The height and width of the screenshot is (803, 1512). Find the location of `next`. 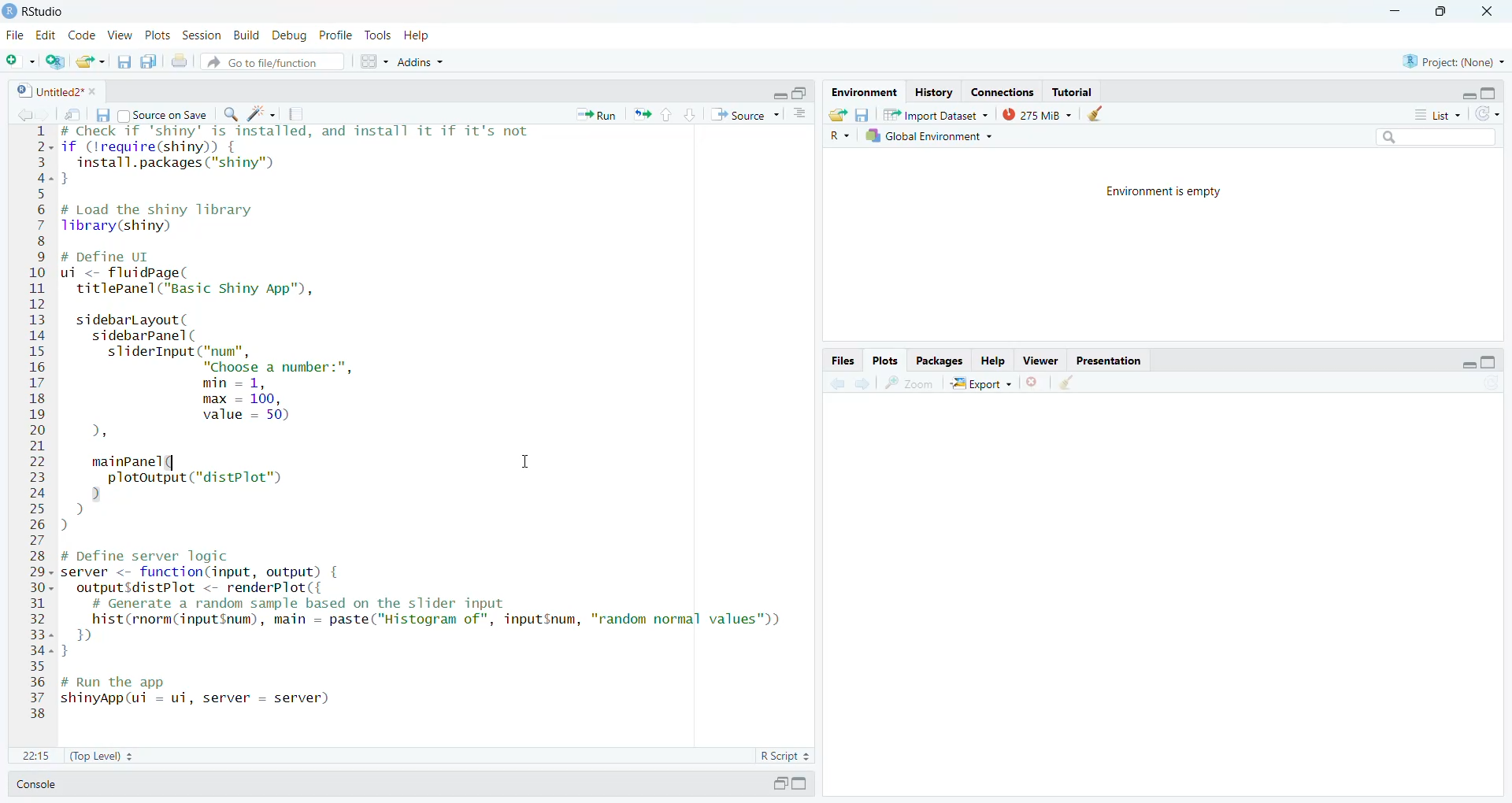

next is located at coordinates (864, 383).